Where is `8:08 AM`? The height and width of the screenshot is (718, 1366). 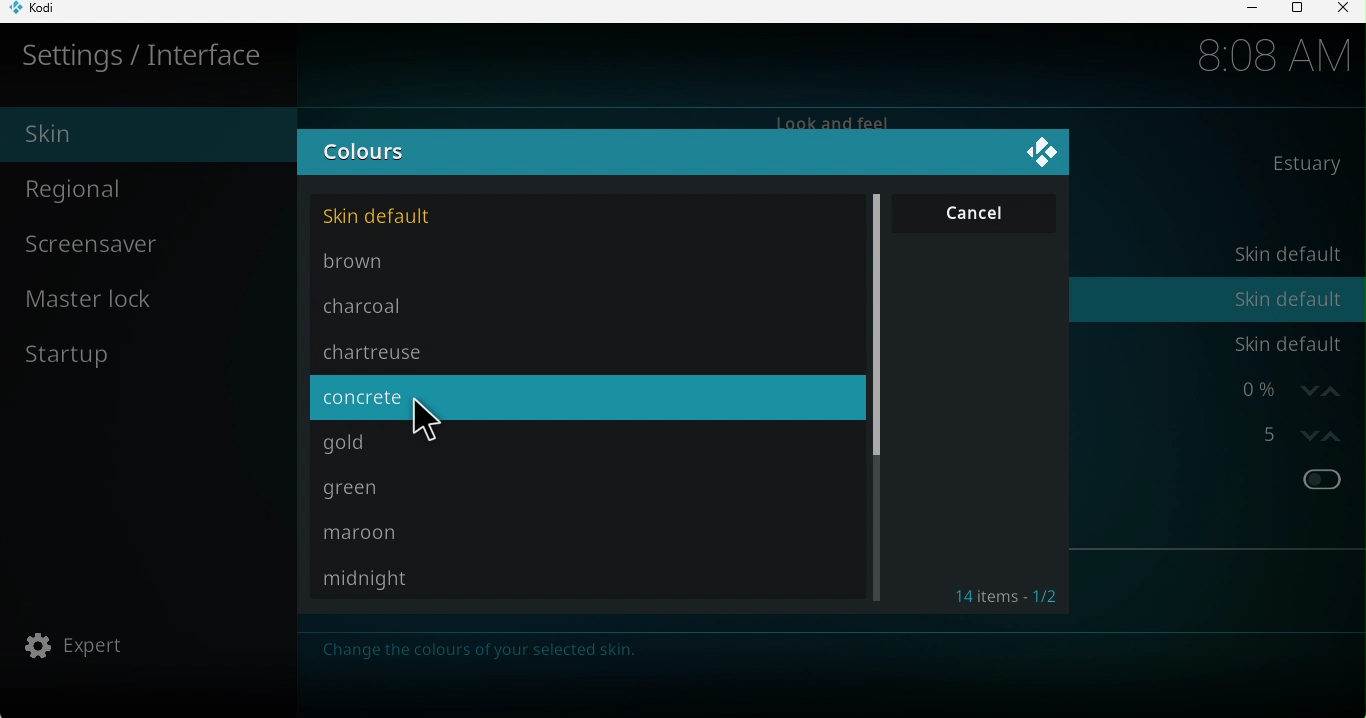 8:08 AM is located at coordinates (1267, 54).